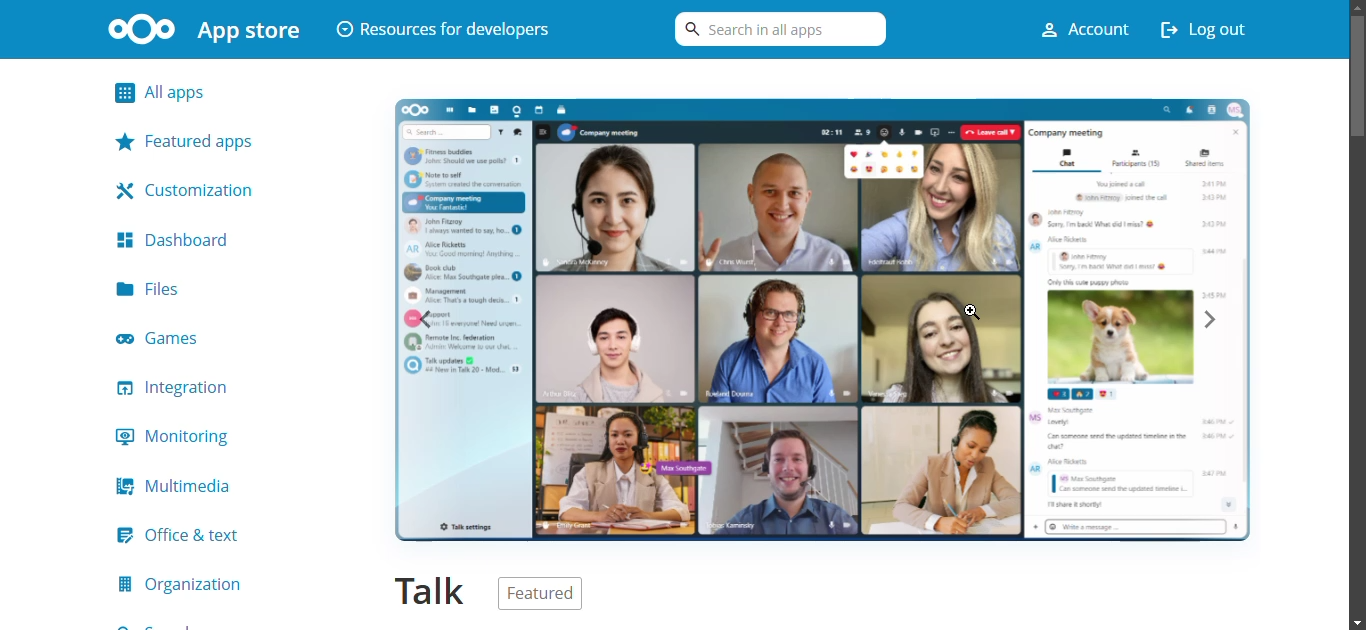 The height and width of the screenshot is (630, 1366). What do you see at coordinates (444, 27) in the screenshot?
I see `resources for developers` at bounding box center [444, 27].